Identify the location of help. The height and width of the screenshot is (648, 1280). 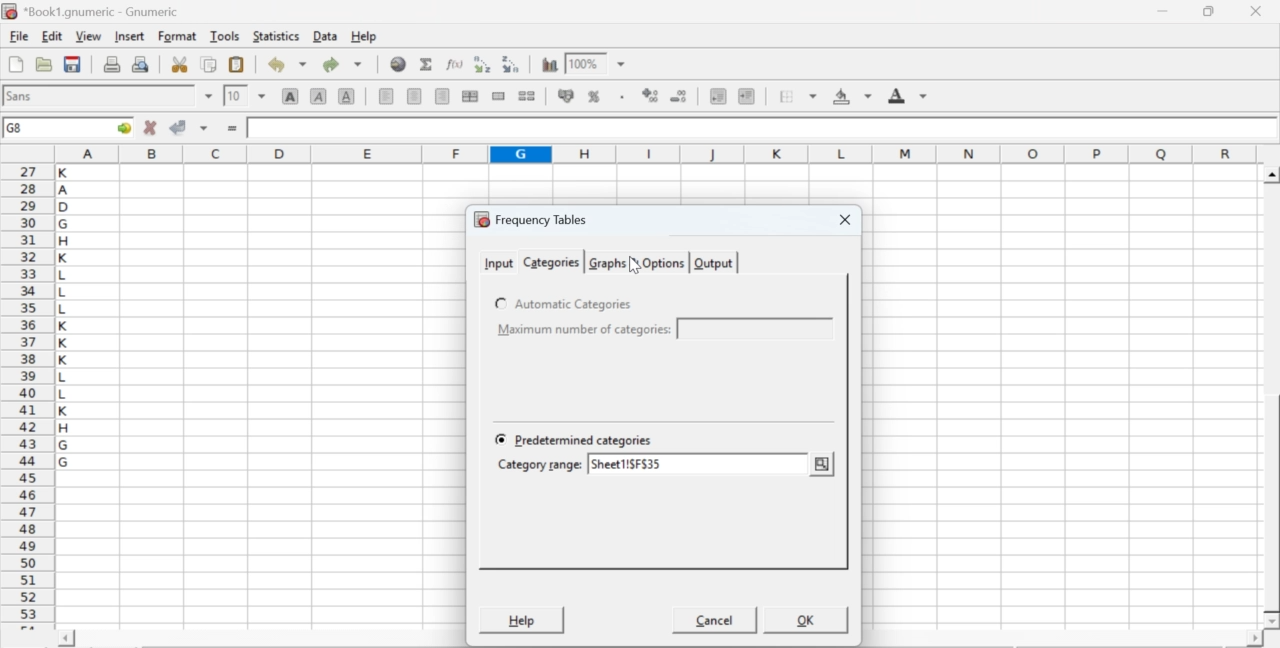
(366, 37).